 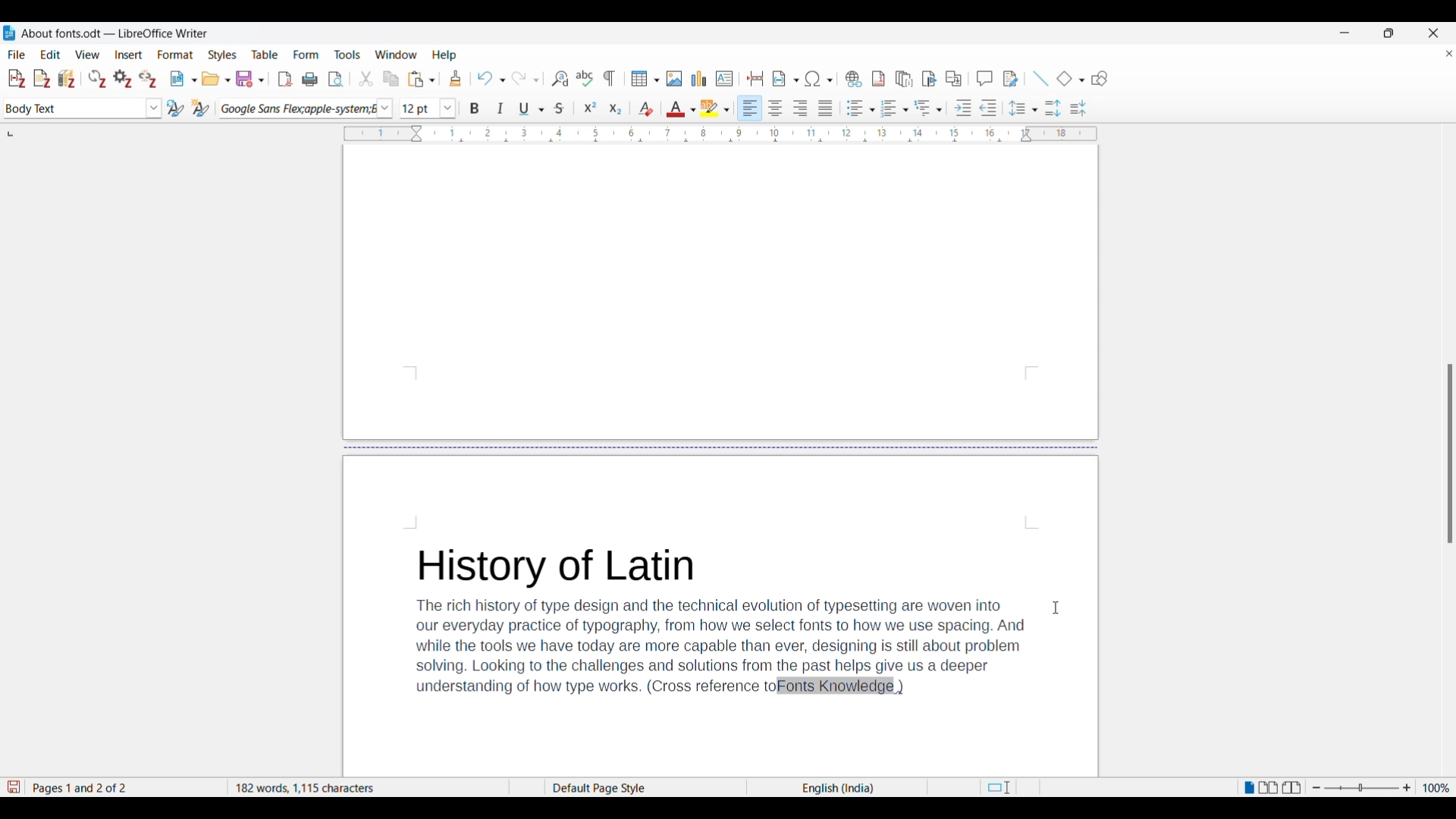 I want to click on Insert endnote, so click(x=904, y=80).